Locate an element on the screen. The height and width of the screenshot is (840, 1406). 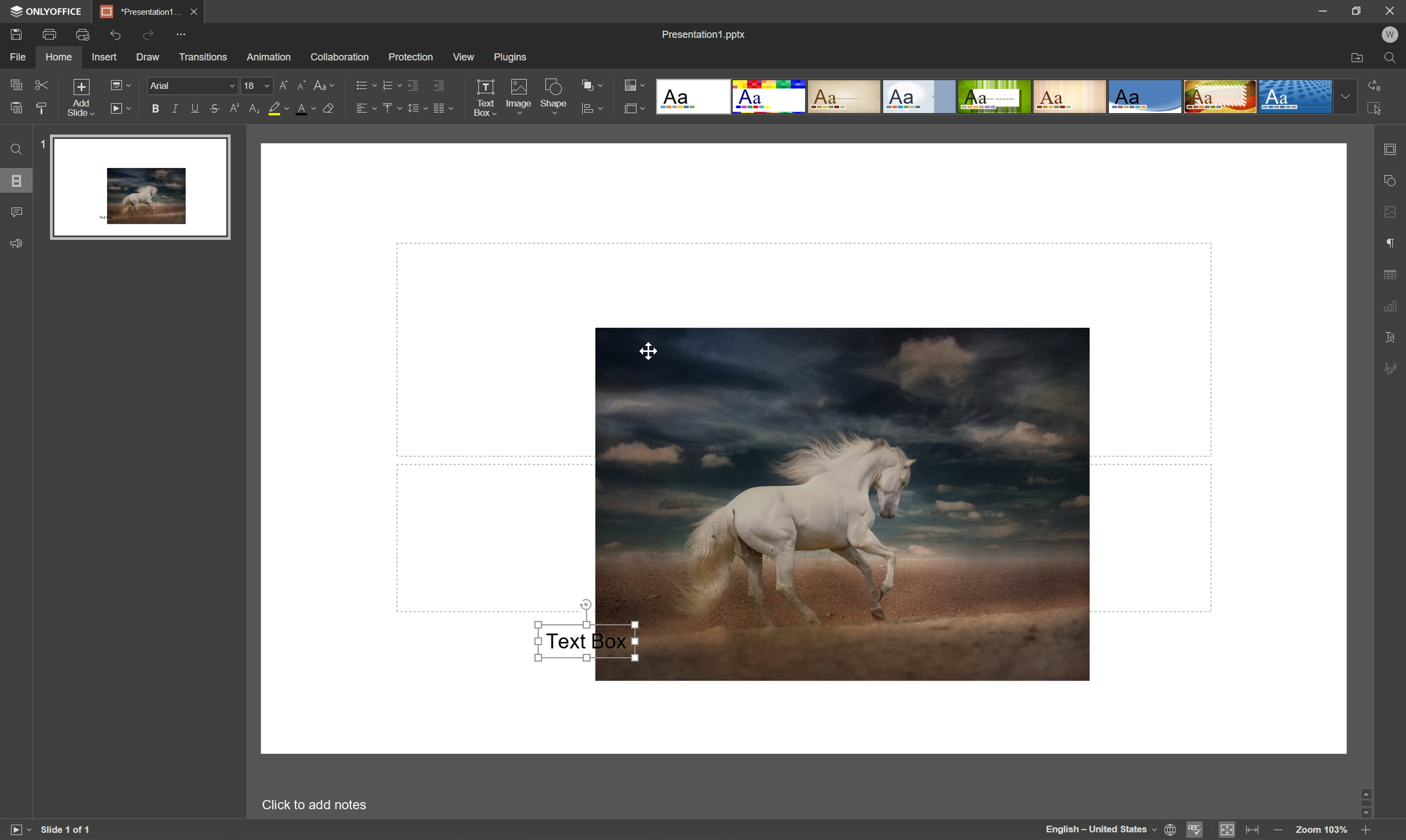
Chart settings is located at coordinates (1393, 306).